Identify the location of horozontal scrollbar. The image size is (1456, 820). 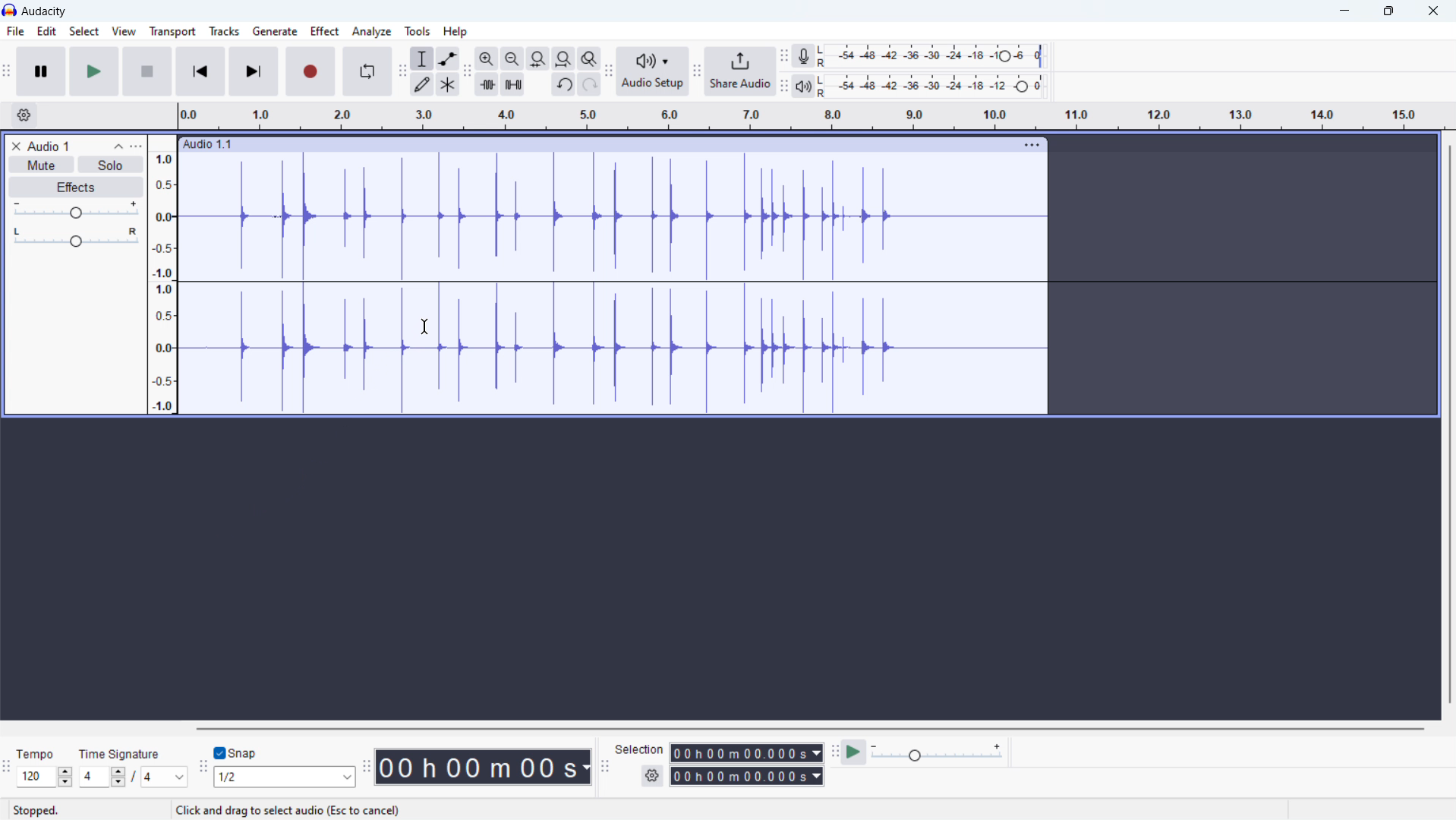
(808, 727).